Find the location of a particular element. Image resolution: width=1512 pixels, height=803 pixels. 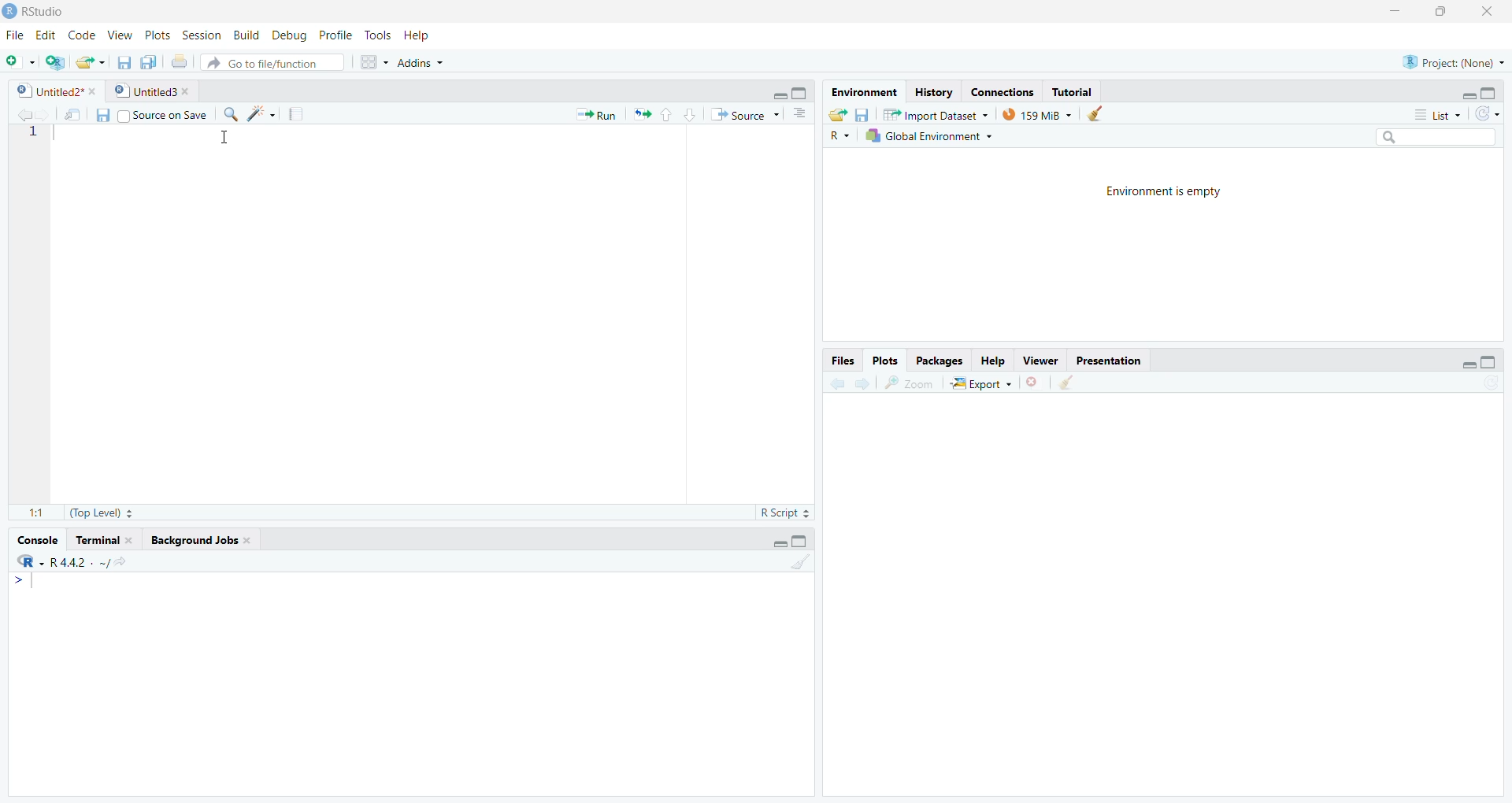

Code is located at coordinates (80, 35).